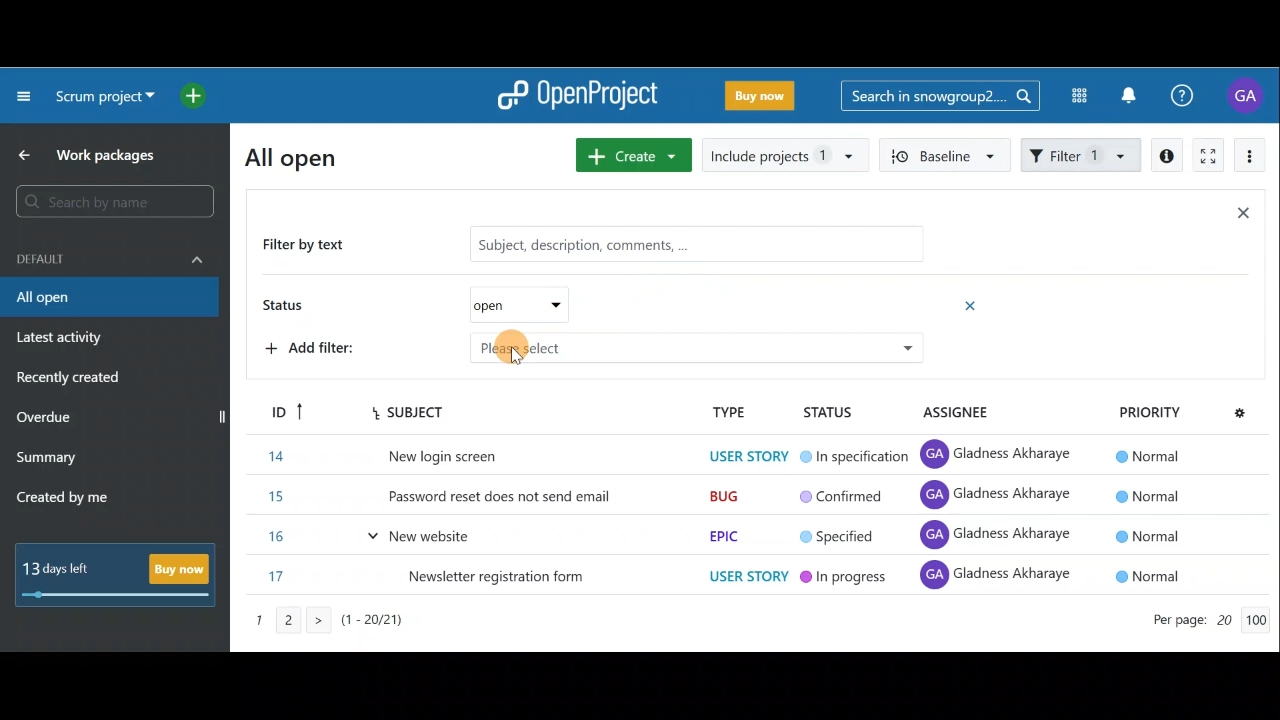 The height and width of the screenshot is (720, 1280). I want to click on Recently created, so click(71, 380).